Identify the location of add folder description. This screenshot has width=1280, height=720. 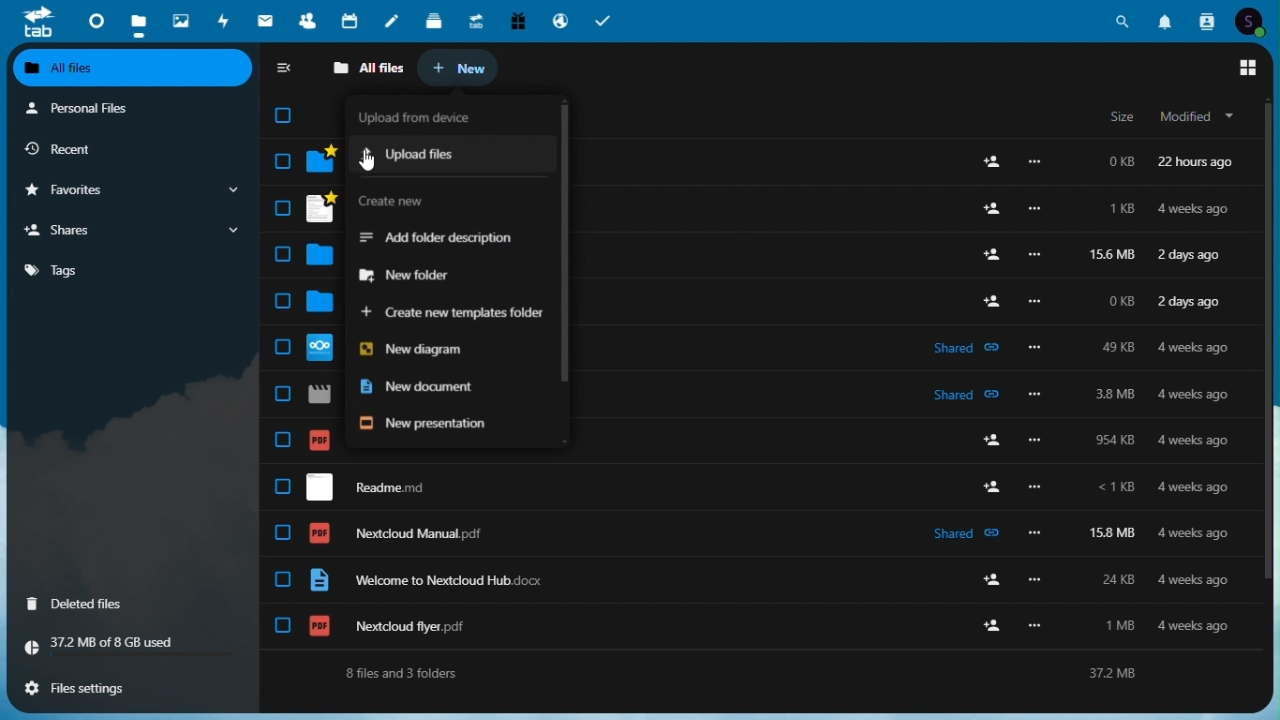
(447, 238).